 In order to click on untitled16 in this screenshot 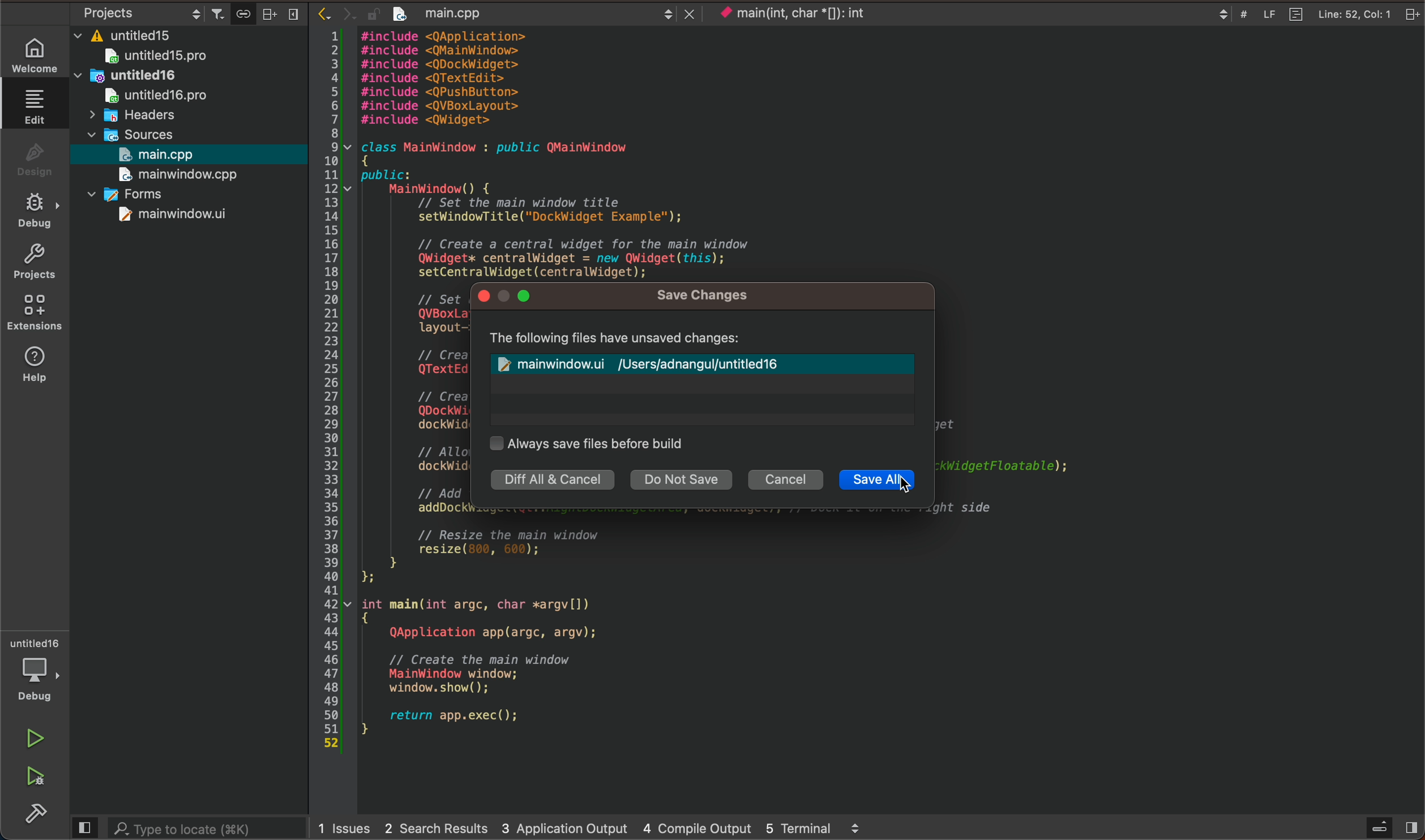, I will do `click(130, 75)`.